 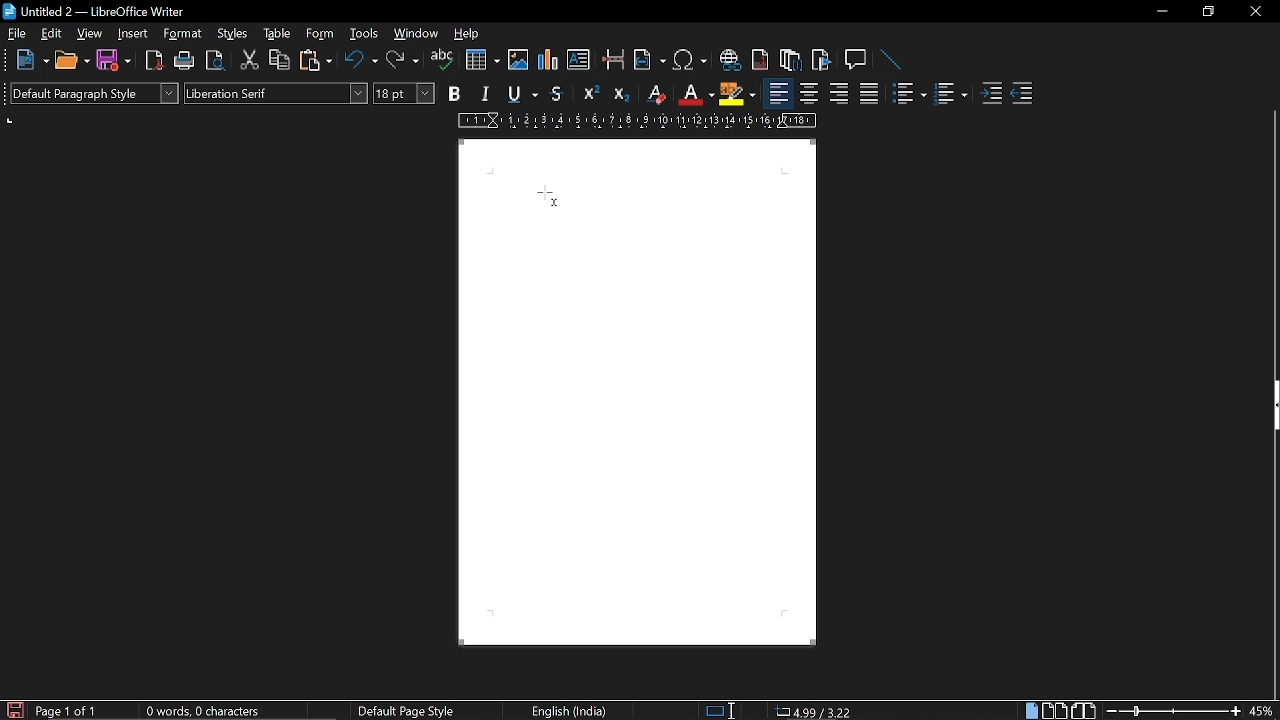 What do you see at coordinates (90, 34) in the screenshot?
I see `view` at bounding box center [90, 34].